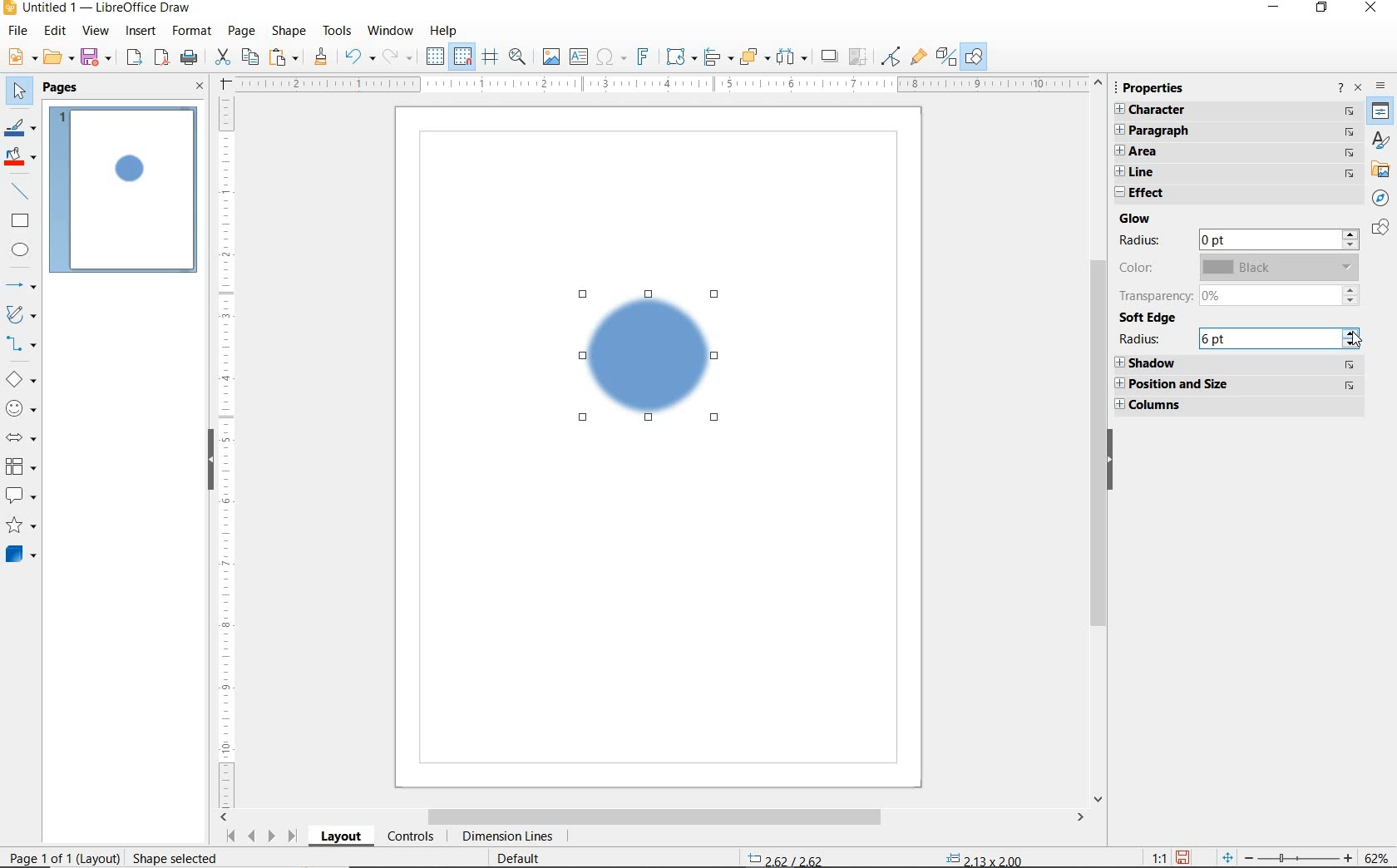 This screenshot has height=868, width=1397. Describe the element at coordinates (655, 818) in the screenshot. I see `SCROLLBAR` at that location.